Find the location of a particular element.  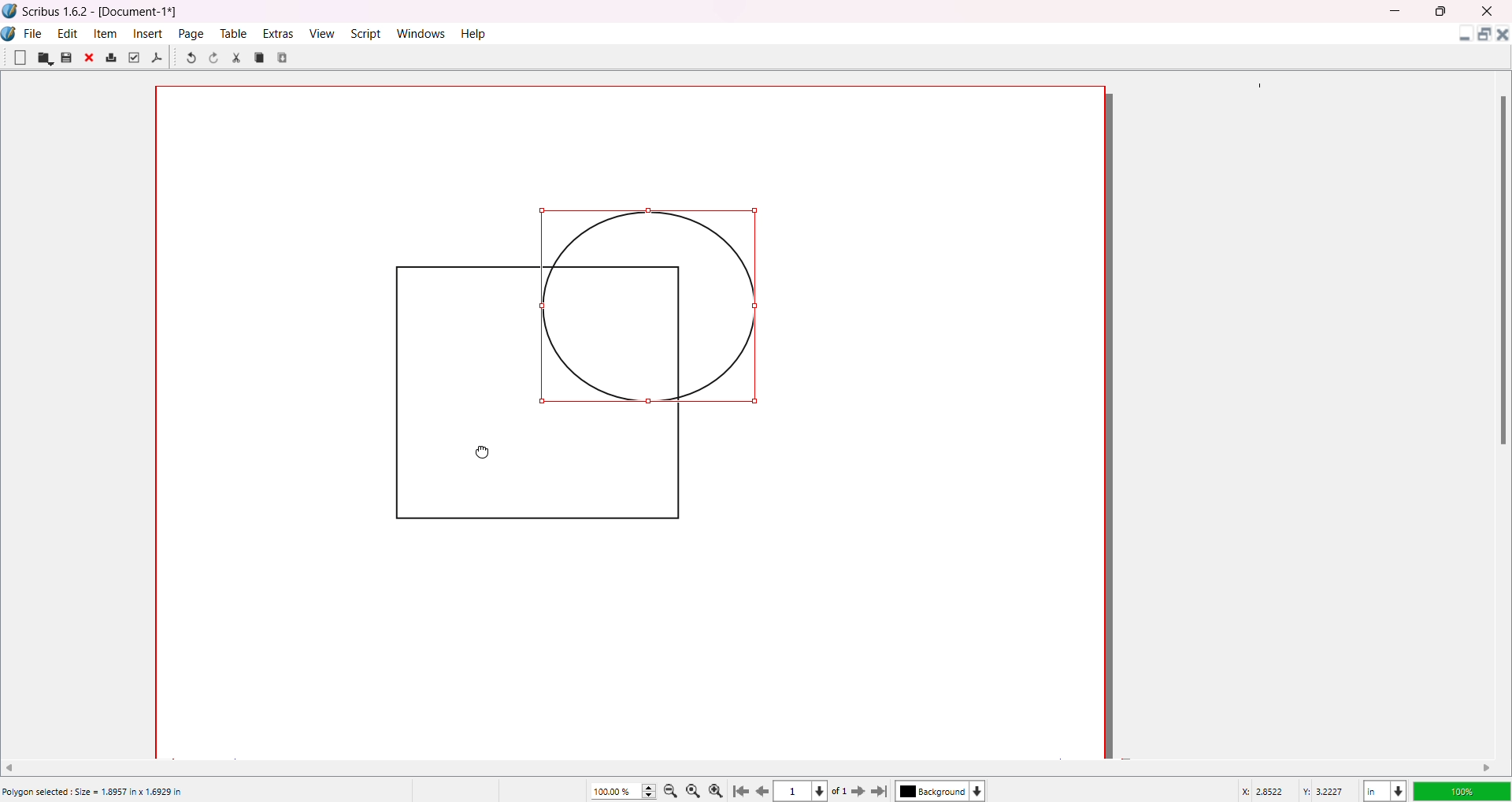

Background color is located at coordinates (944, 791).